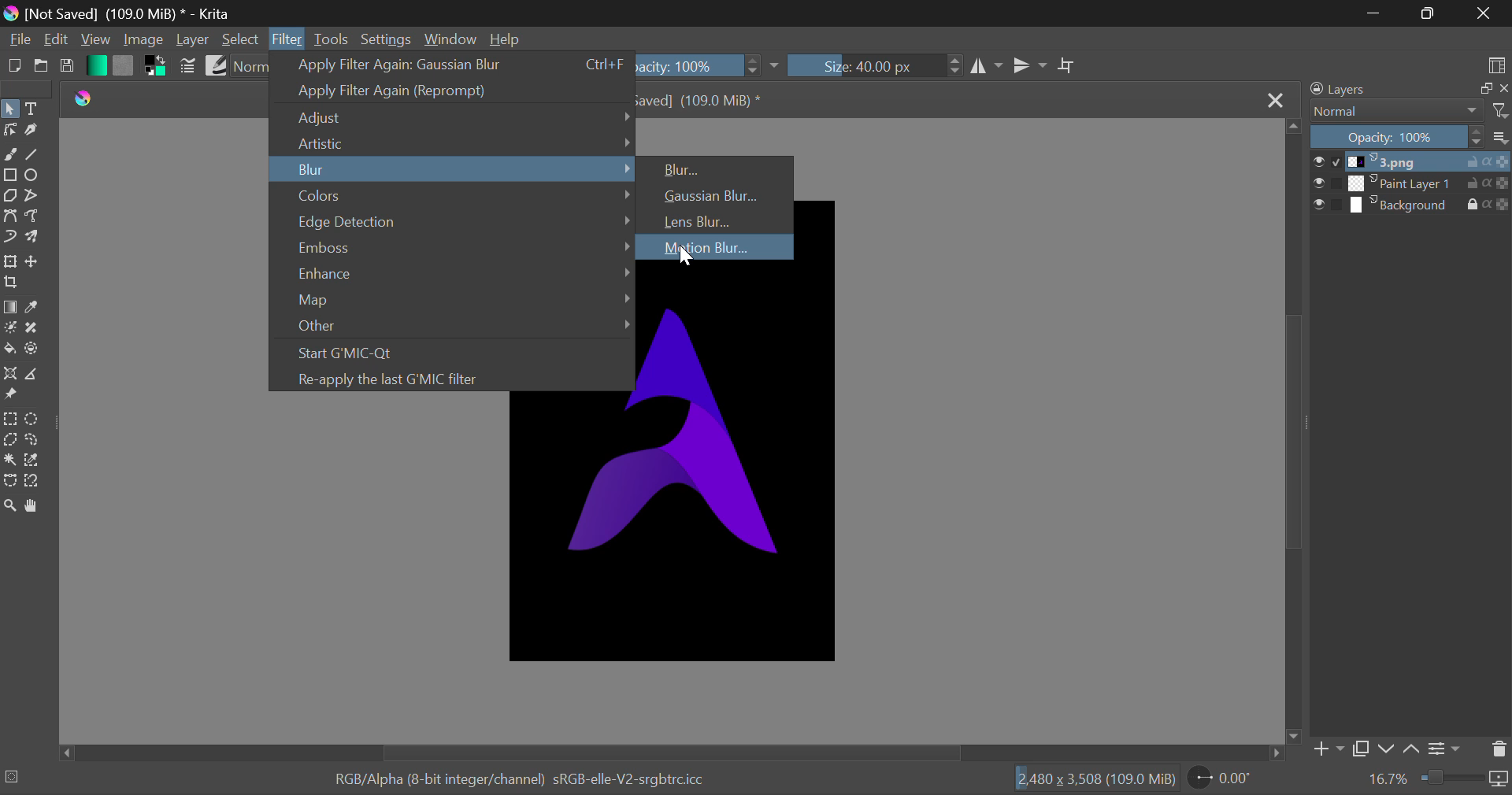 Image resolution: width=1512 pixels, height=795 pixels. Describe the element at coordinates (9, 480) in the screenshot. I see `Bezier Curve Selection Tool` at that location.